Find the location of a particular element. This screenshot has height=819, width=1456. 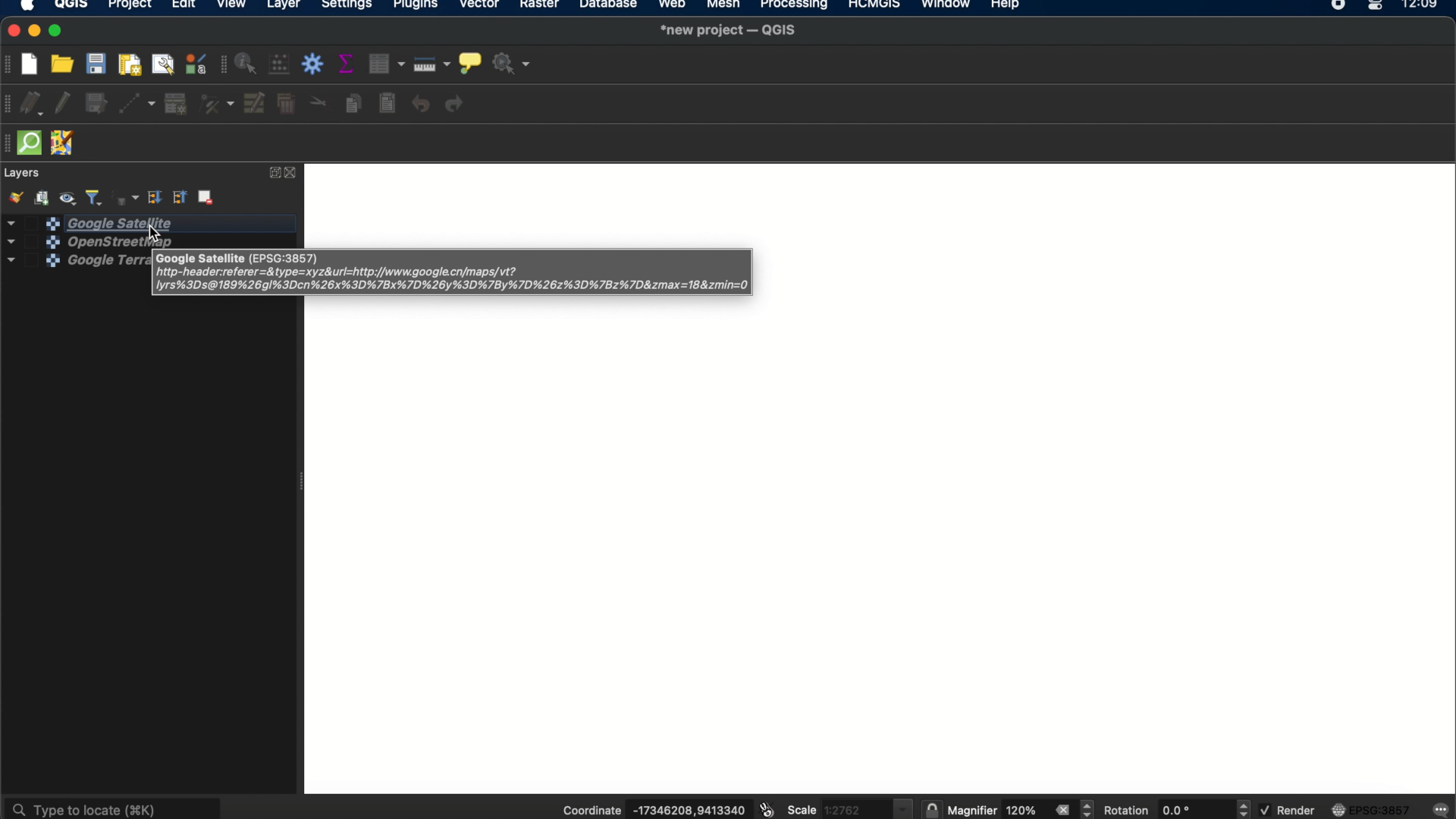

save project t is located at coordinates (97, 64).